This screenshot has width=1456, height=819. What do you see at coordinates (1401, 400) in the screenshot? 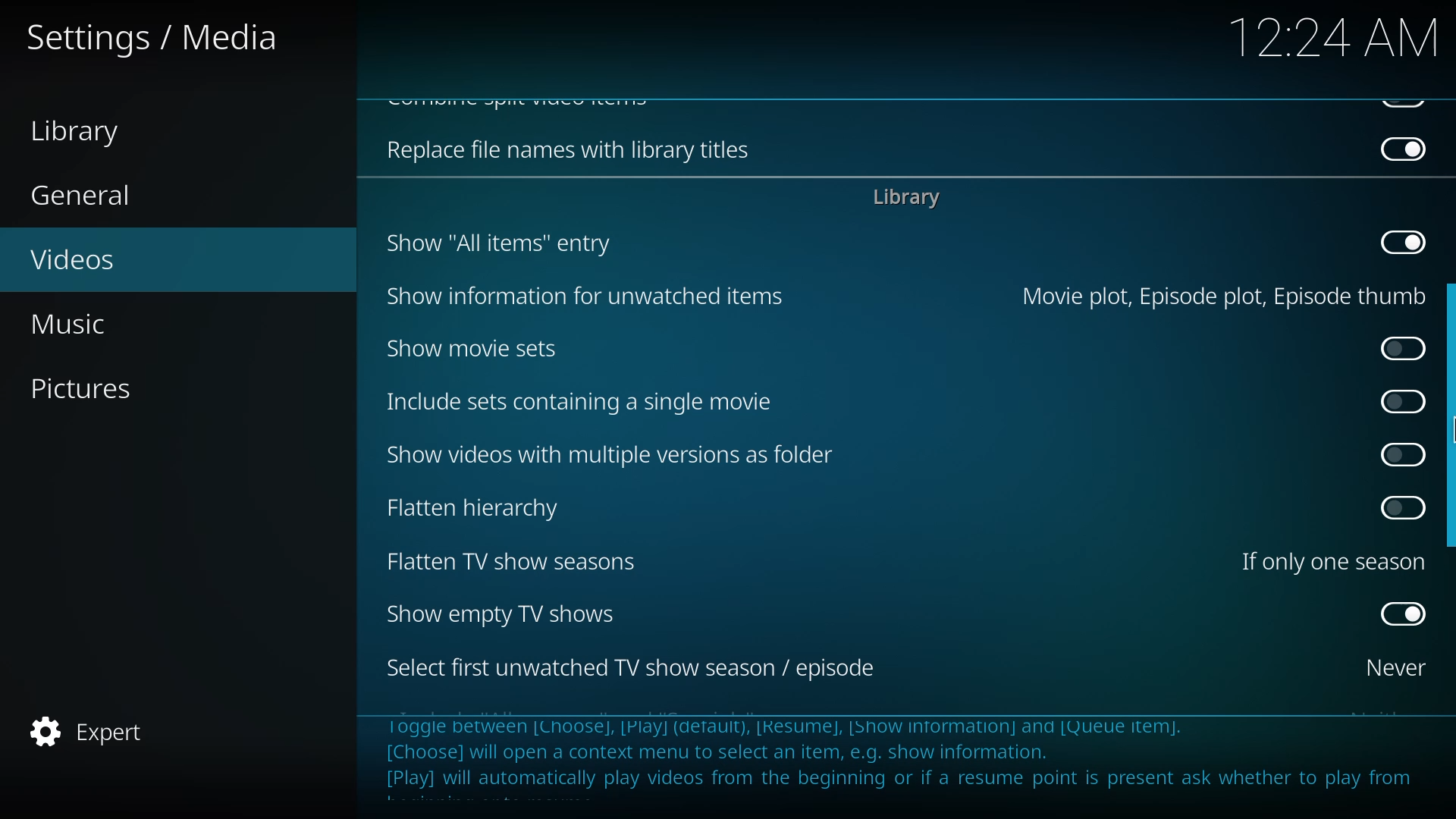
I see `click to enable` at bounding box center [1401, 400].